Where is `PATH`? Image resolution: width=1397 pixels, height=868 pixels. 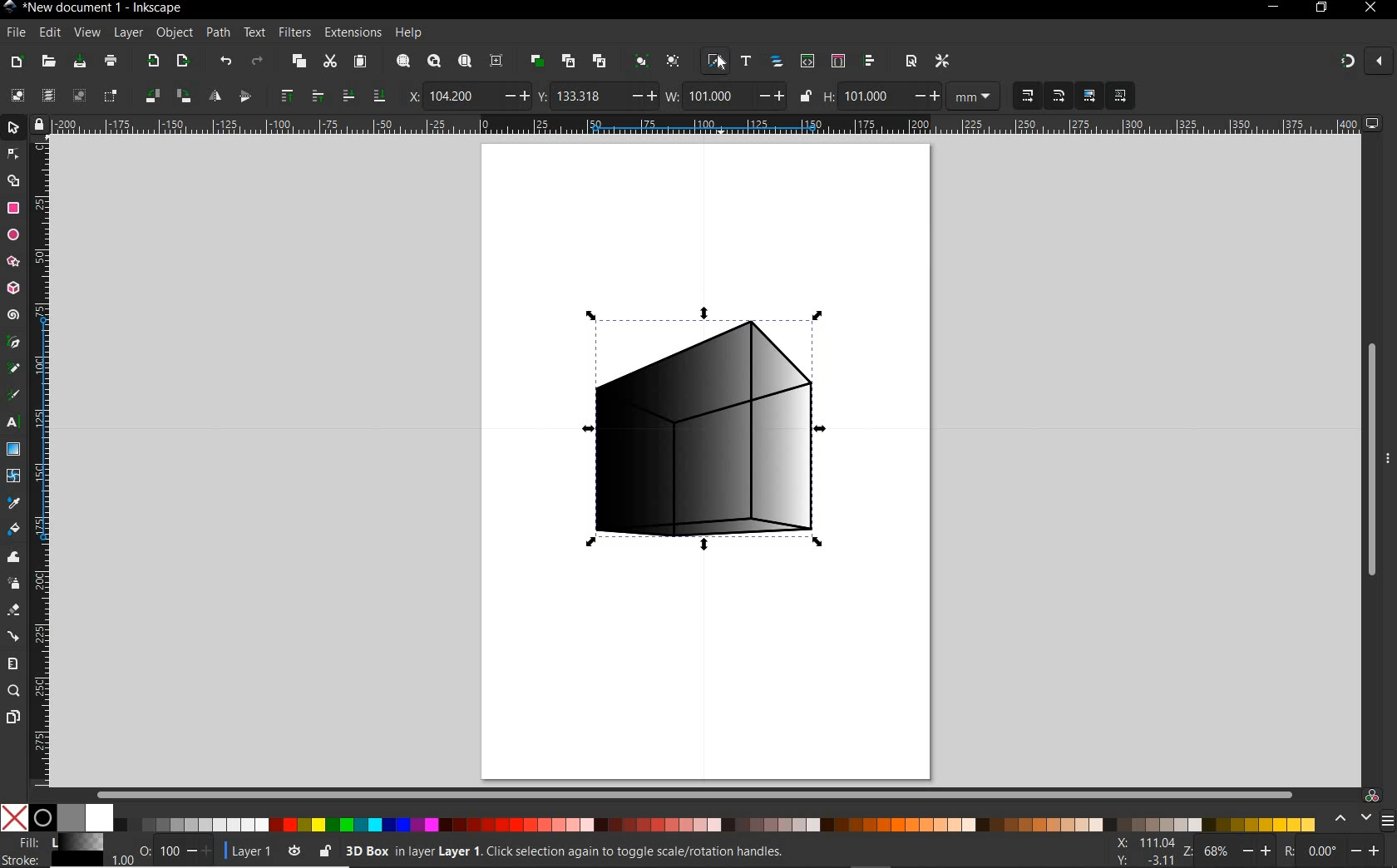 PATH is located at coordinates (216, 33).